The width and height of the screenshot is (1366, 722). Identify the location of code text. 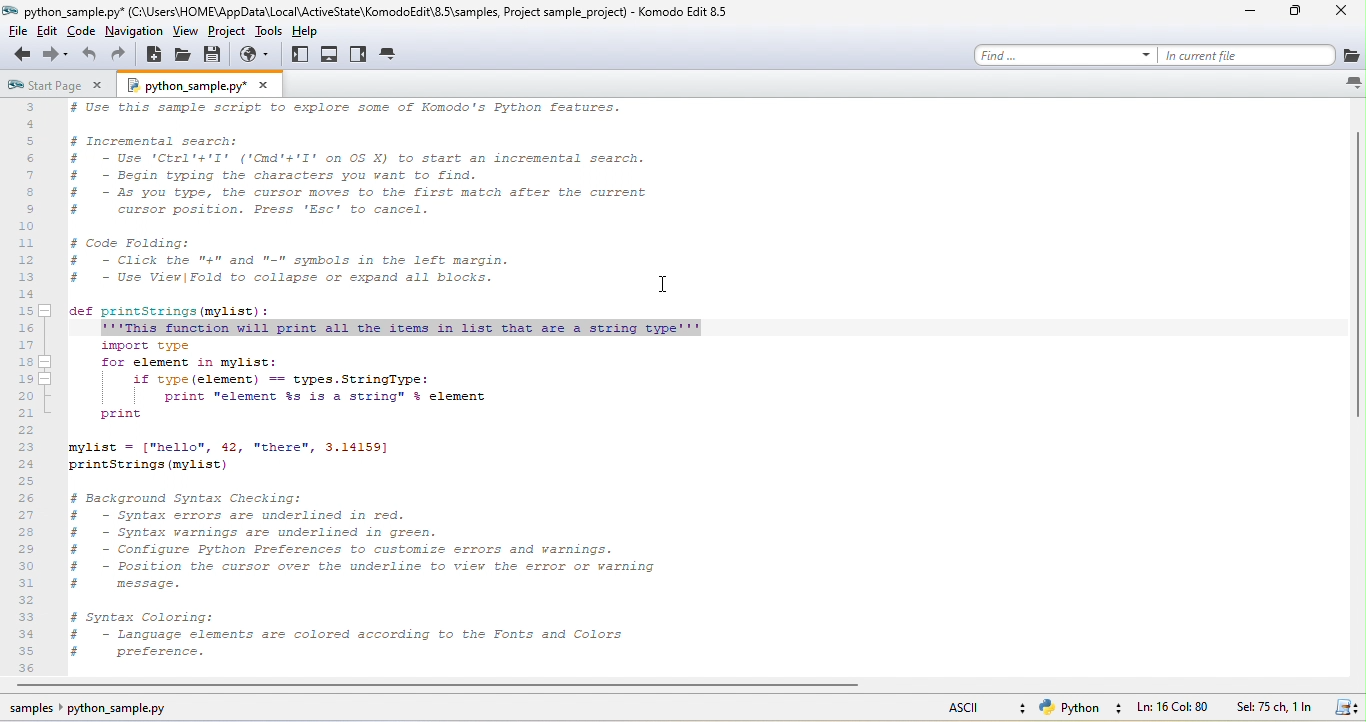
(358, 210).